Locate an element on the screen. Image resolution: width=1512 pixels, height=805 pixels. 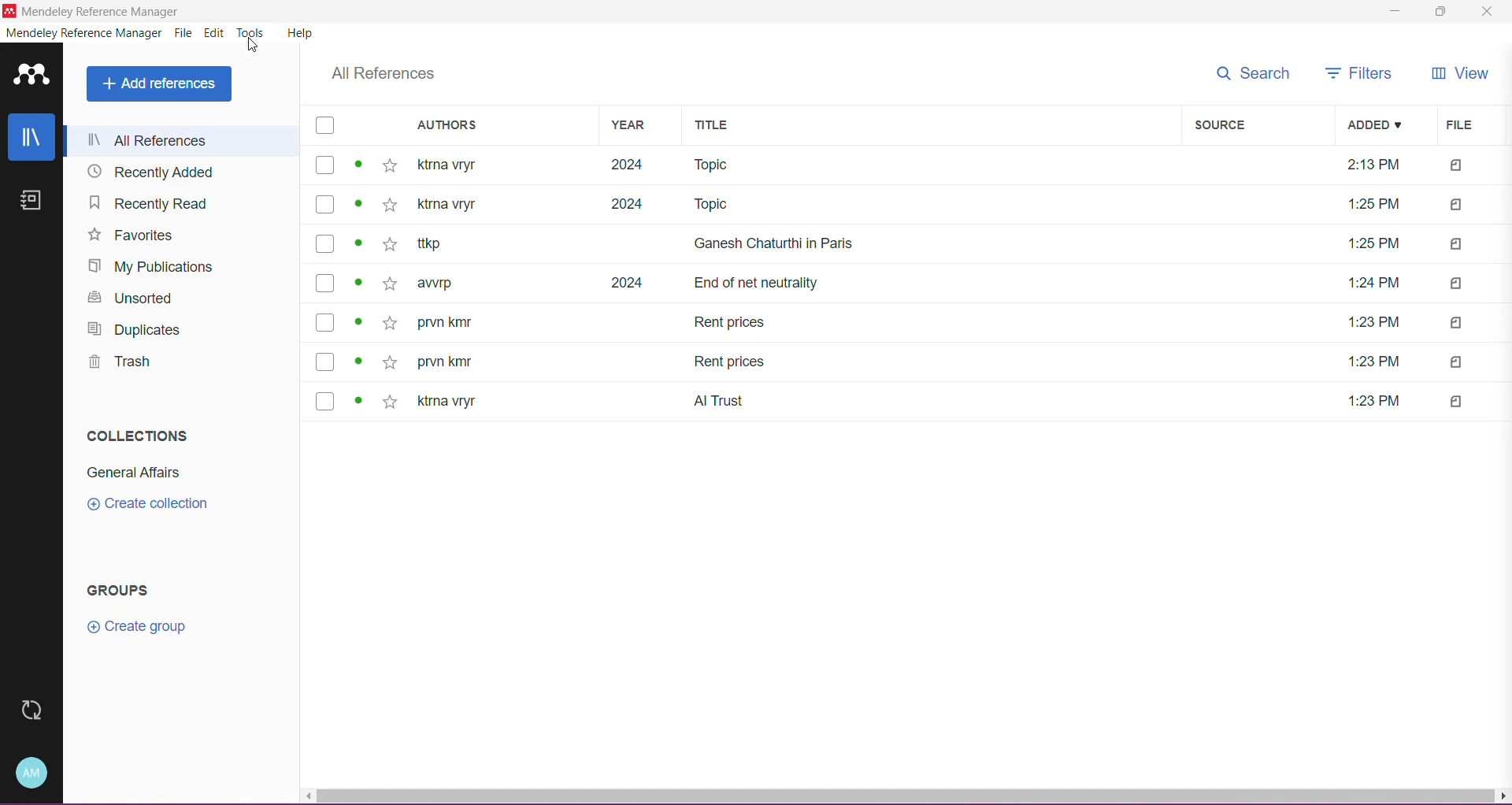
year is located at coordinates (629, 206).